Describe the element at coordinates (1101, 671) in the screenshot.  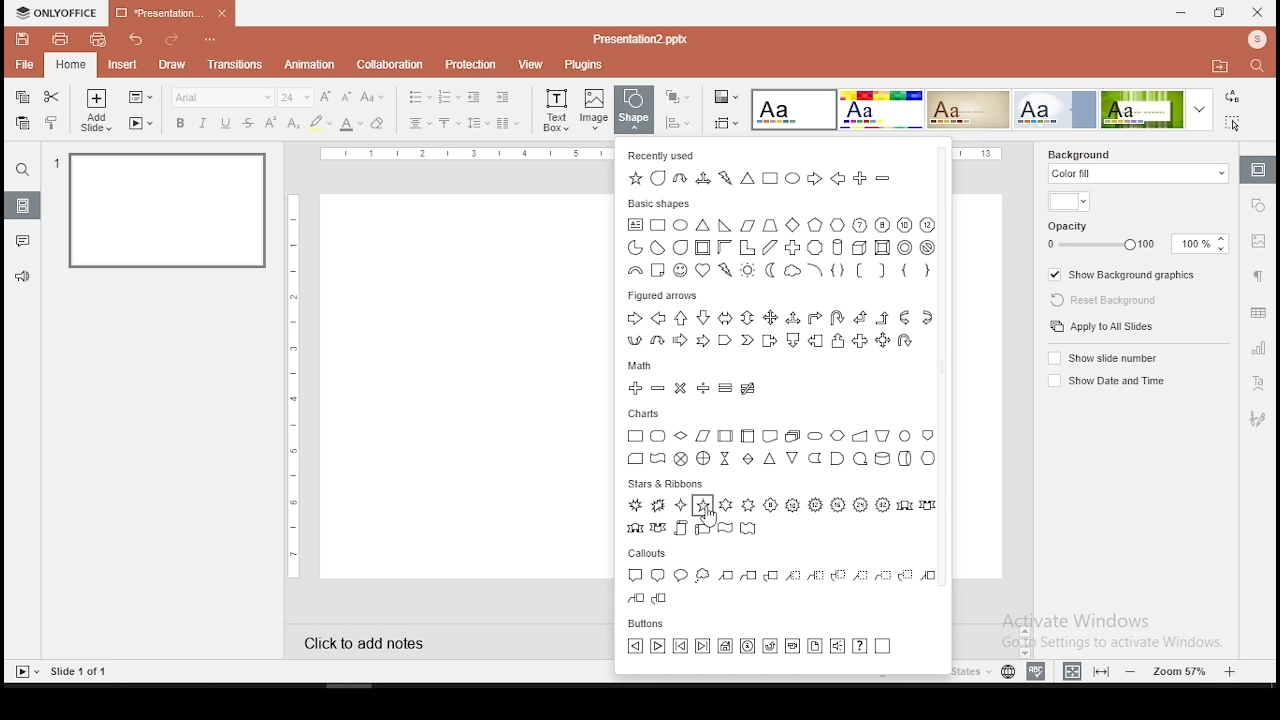
I see `fit to slide` at that location.